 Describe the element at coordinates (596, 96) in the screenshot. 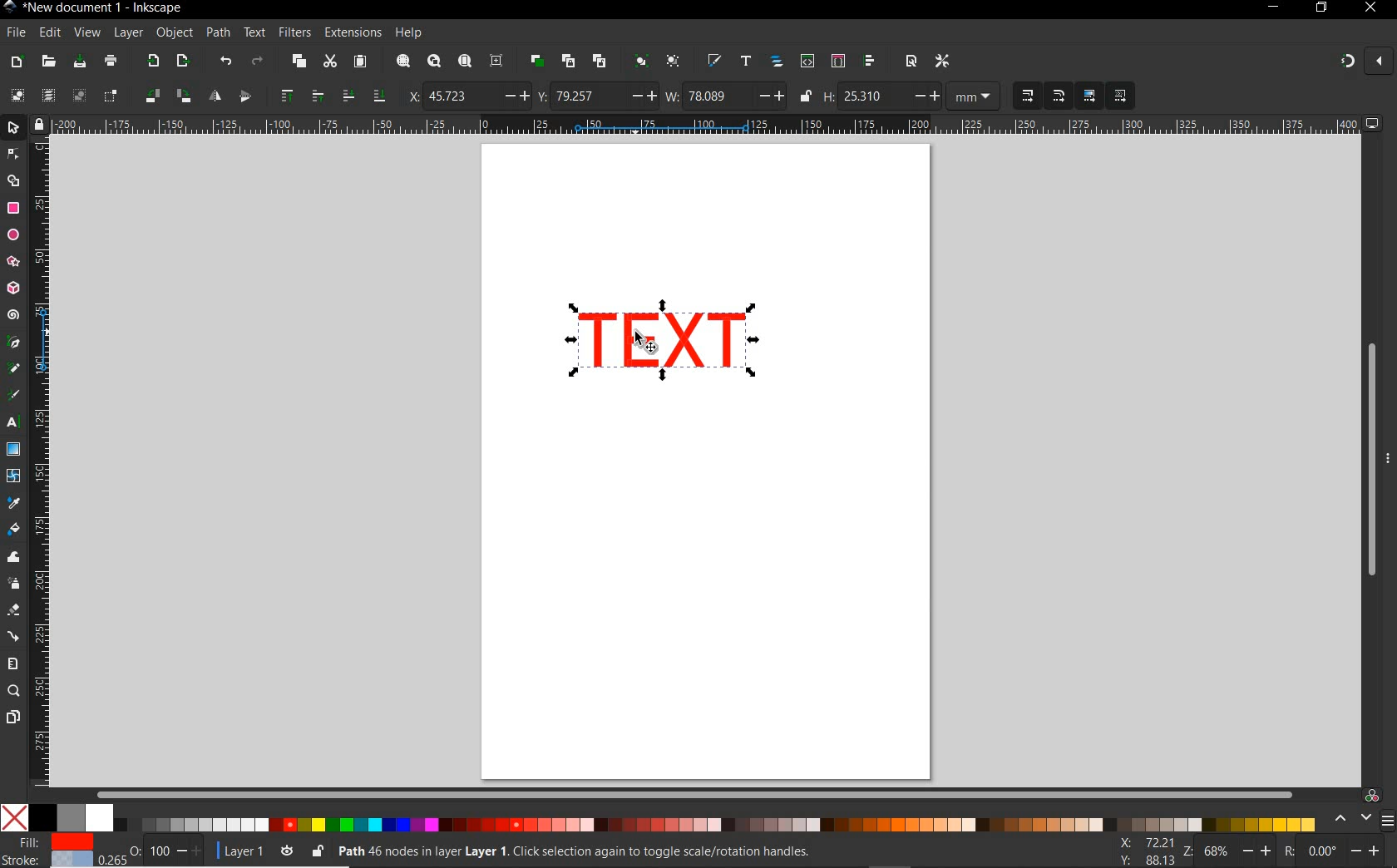

I see `VERTICAL COORDINATE OF SELECTION` at that location.